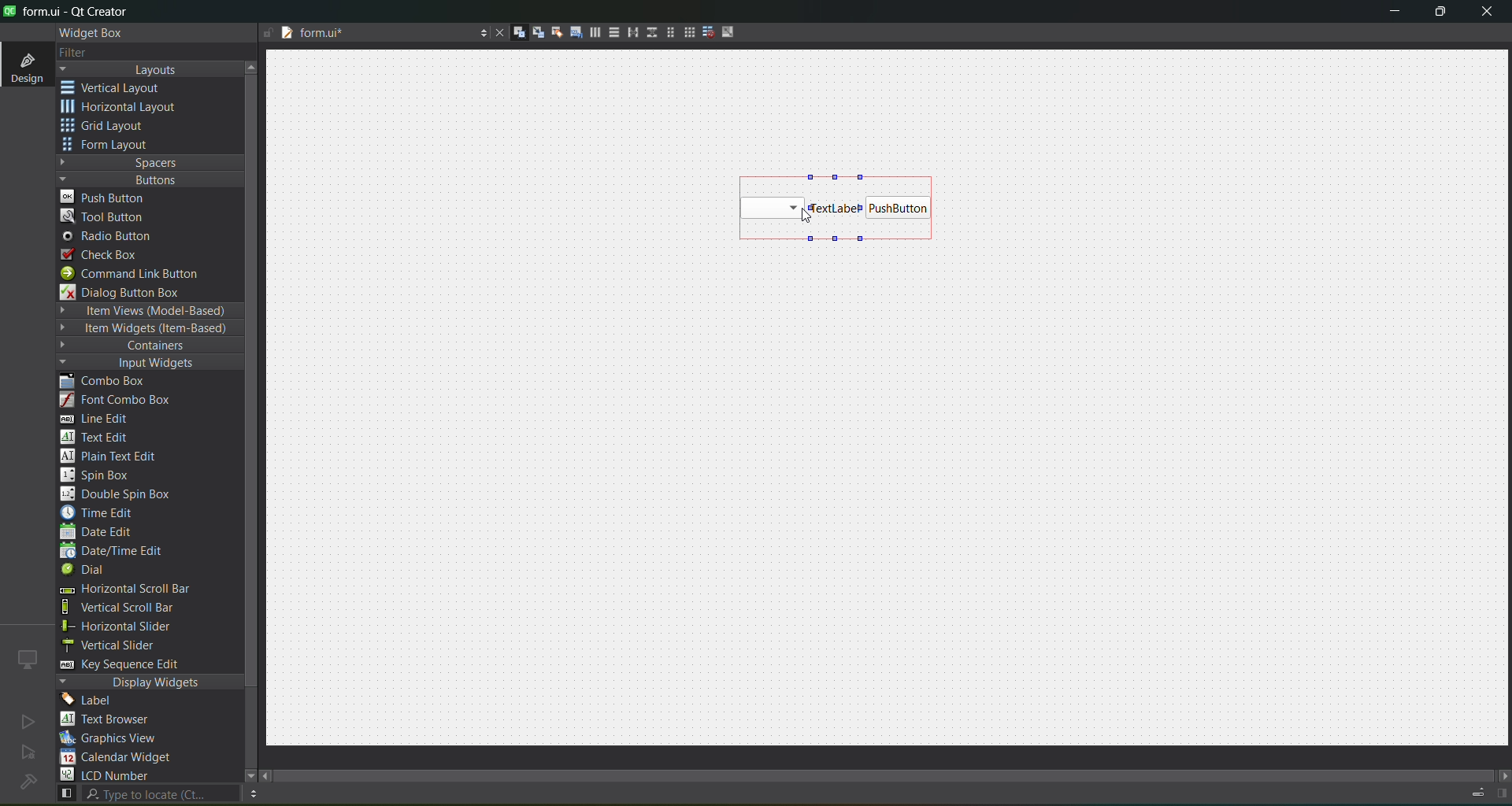 This screenshot has height=806, width=1512. I want to click on grid, so click(113, 128).